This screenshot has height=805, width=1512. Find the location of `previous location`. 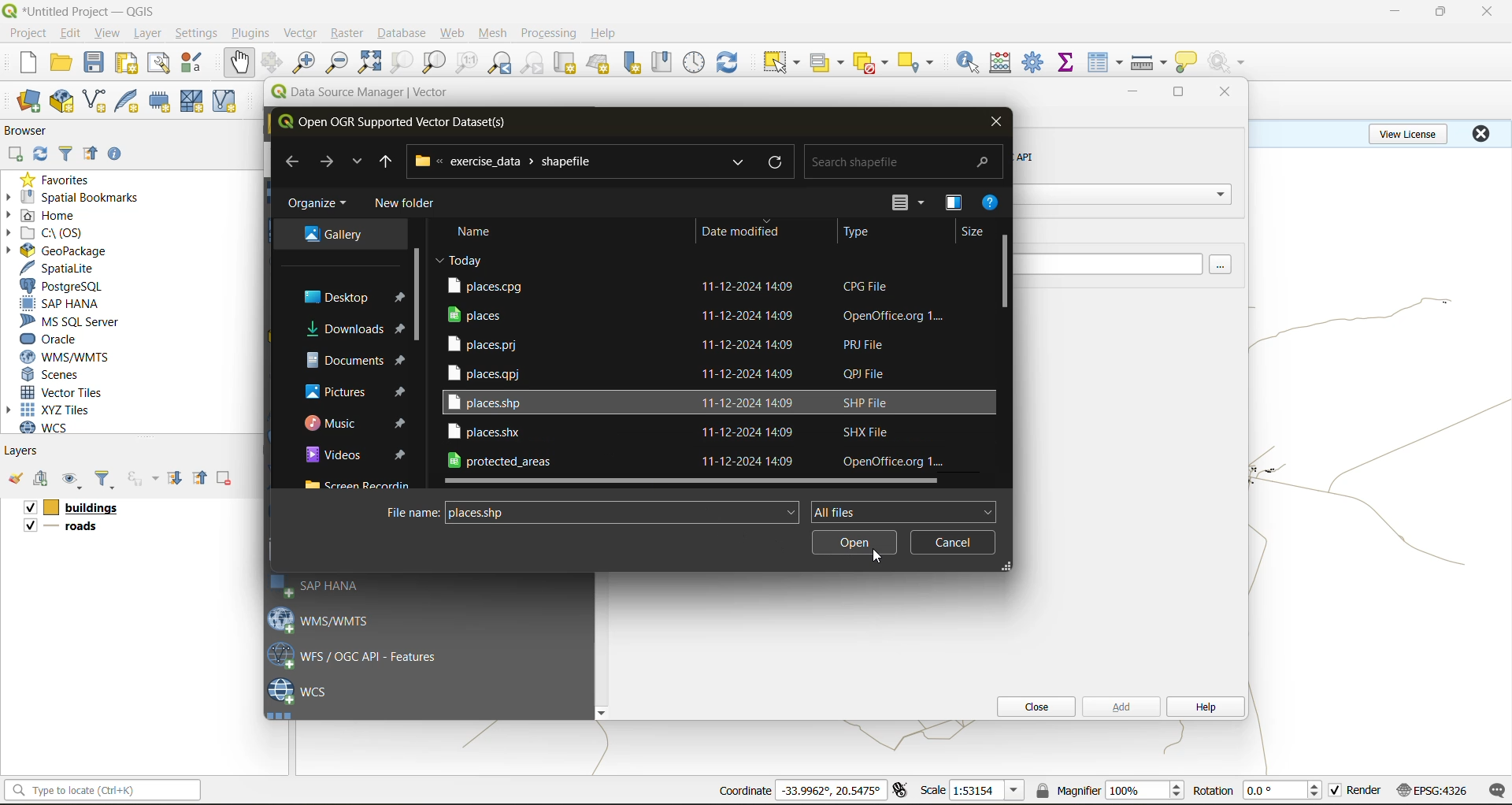

previous location is located at coordinates (386, 165).